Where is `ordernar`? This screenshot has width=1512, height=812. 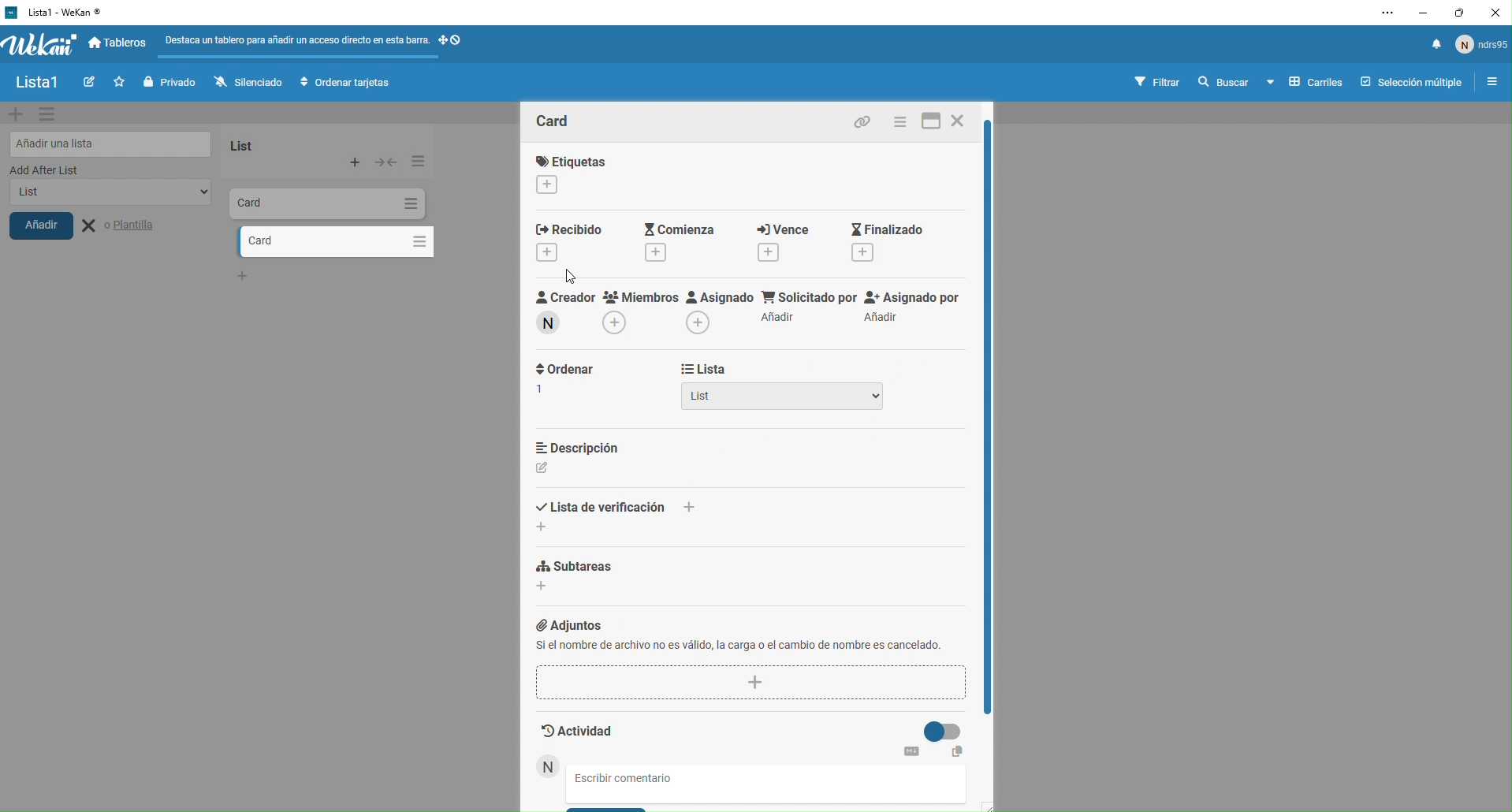
ordernar is located at coordinates (565, 390).